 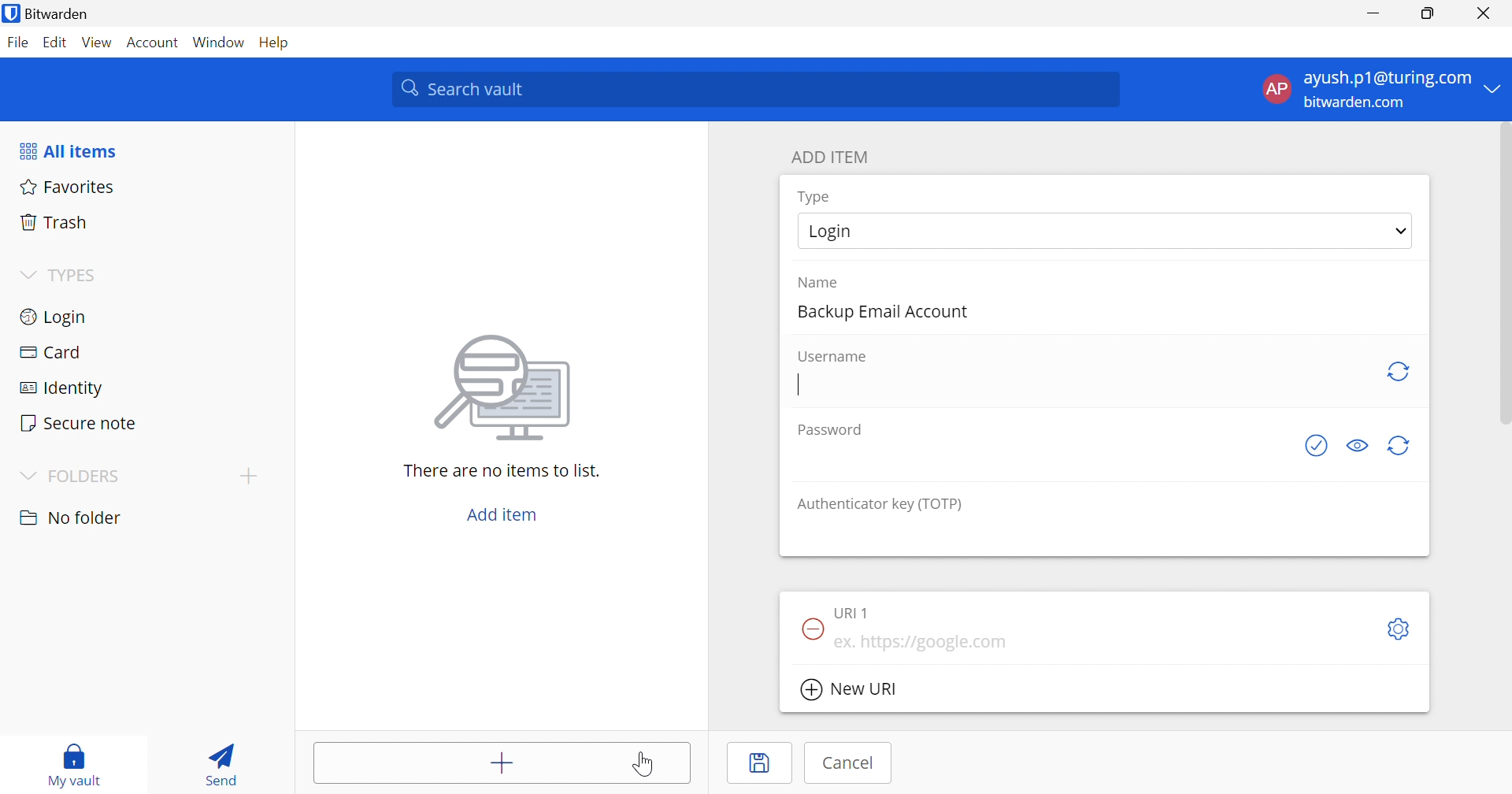 What do you see at coordinates (70, 150) in the screenshot?
I see `All items` at bounding box center [70, 150].